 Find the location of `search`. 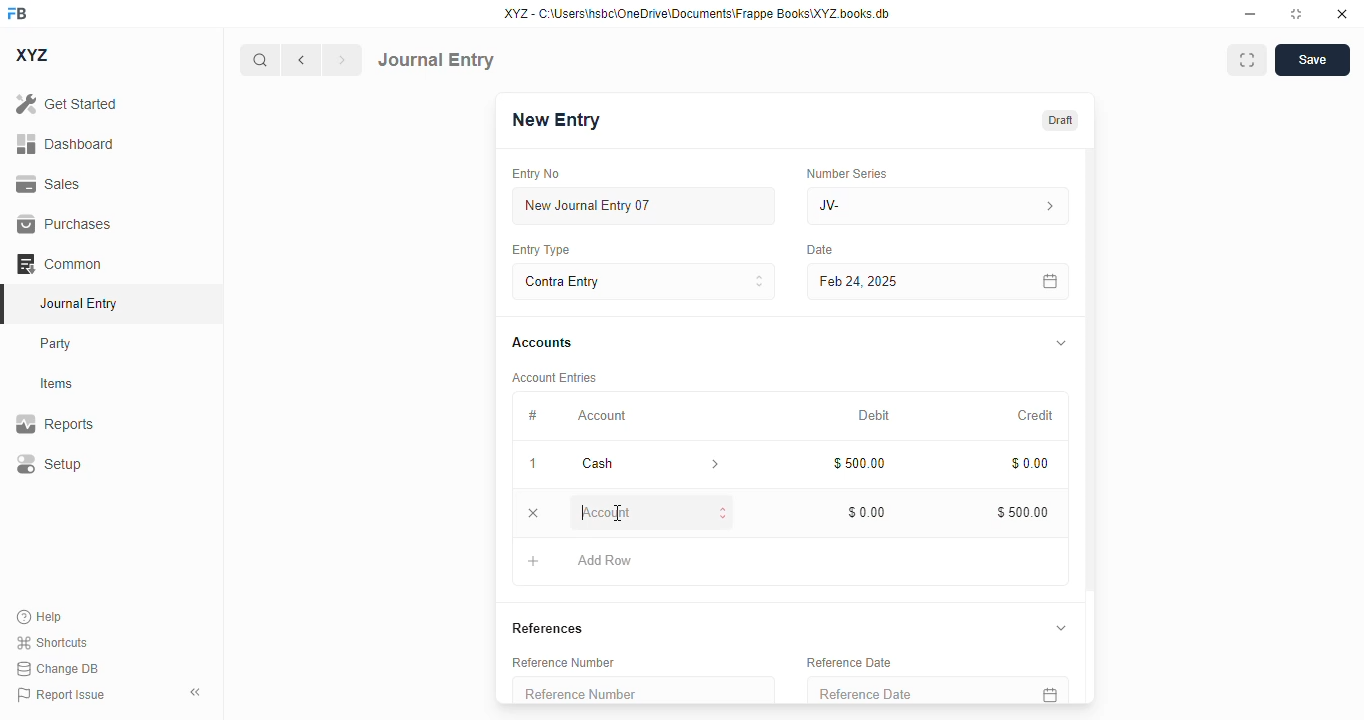

search is located at coordinates (259, 60).